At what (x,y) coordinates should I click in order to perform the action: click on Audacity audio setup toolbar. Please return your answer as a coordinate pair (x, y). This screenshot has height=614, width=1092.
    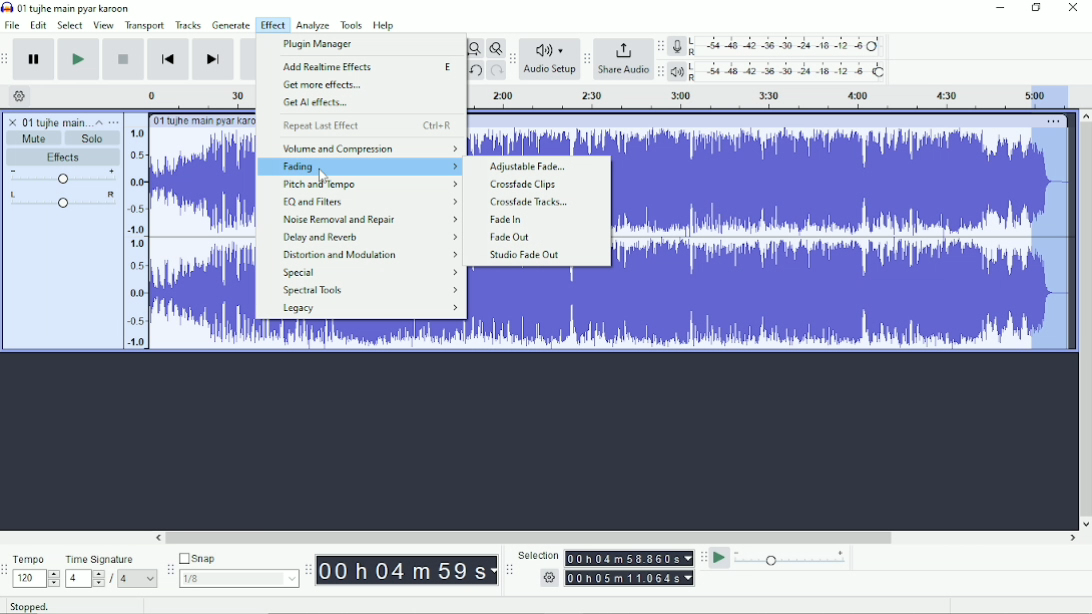
    Looking at the image, I should click on (512, 59).